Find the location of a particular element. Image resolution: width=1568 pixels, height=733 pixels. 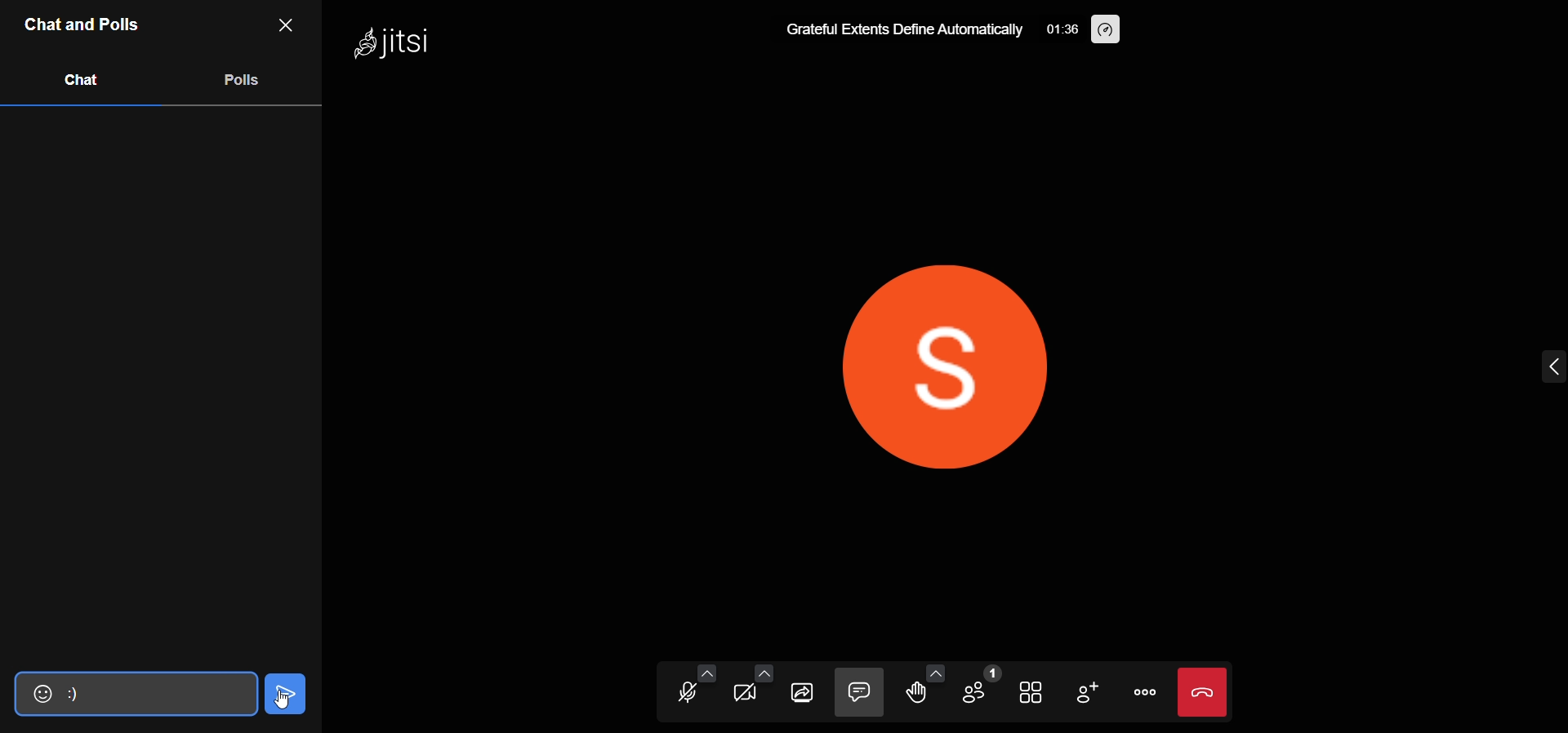

chats and pols is located at coordinates (84, 25).